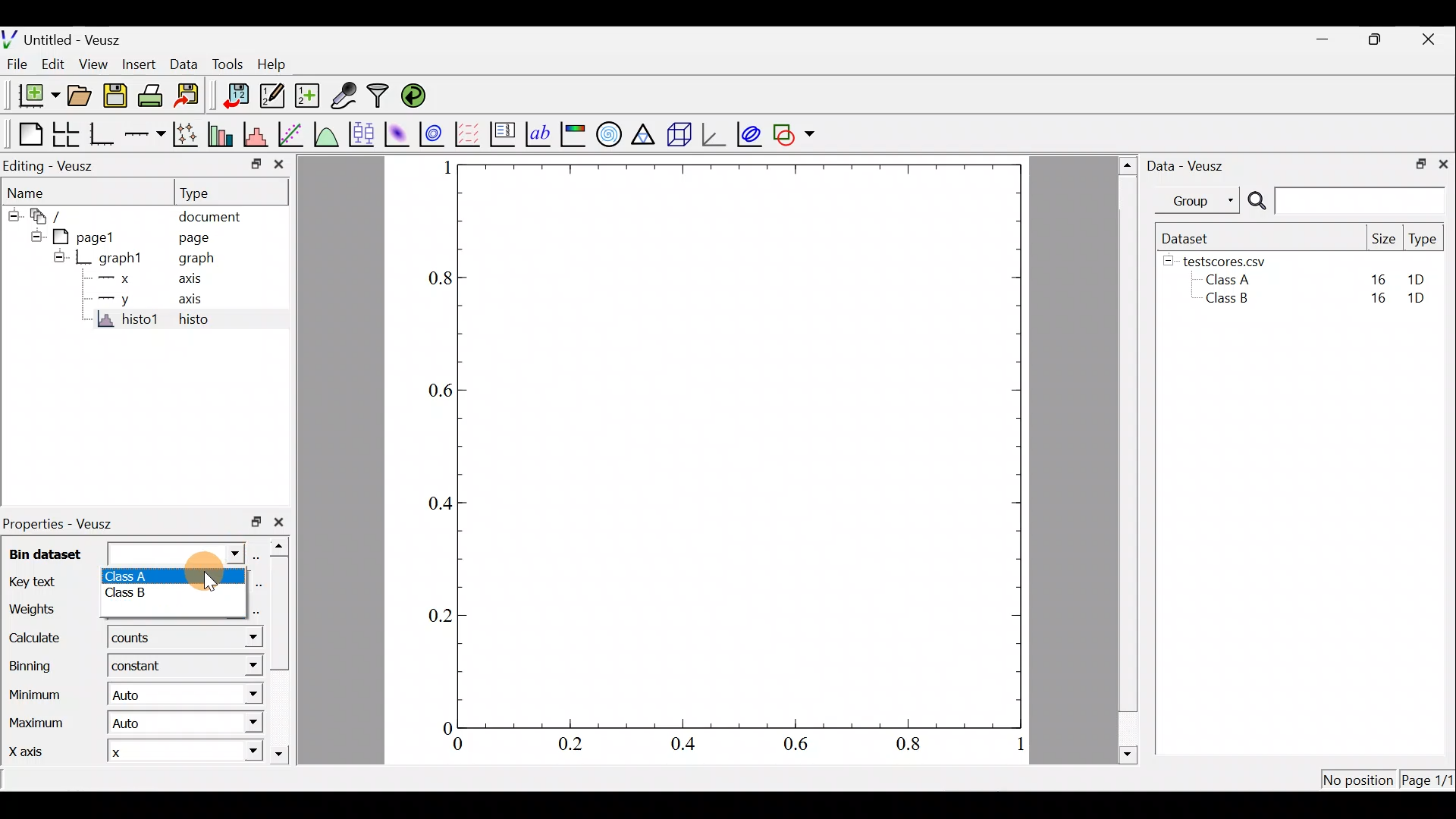 Image resolution: width=1456 pixels, height=819 pixels. What do you see at coordinates (360, 133) in the screenshot?
I see `Plot box plots` at bounding box center [360, 133].